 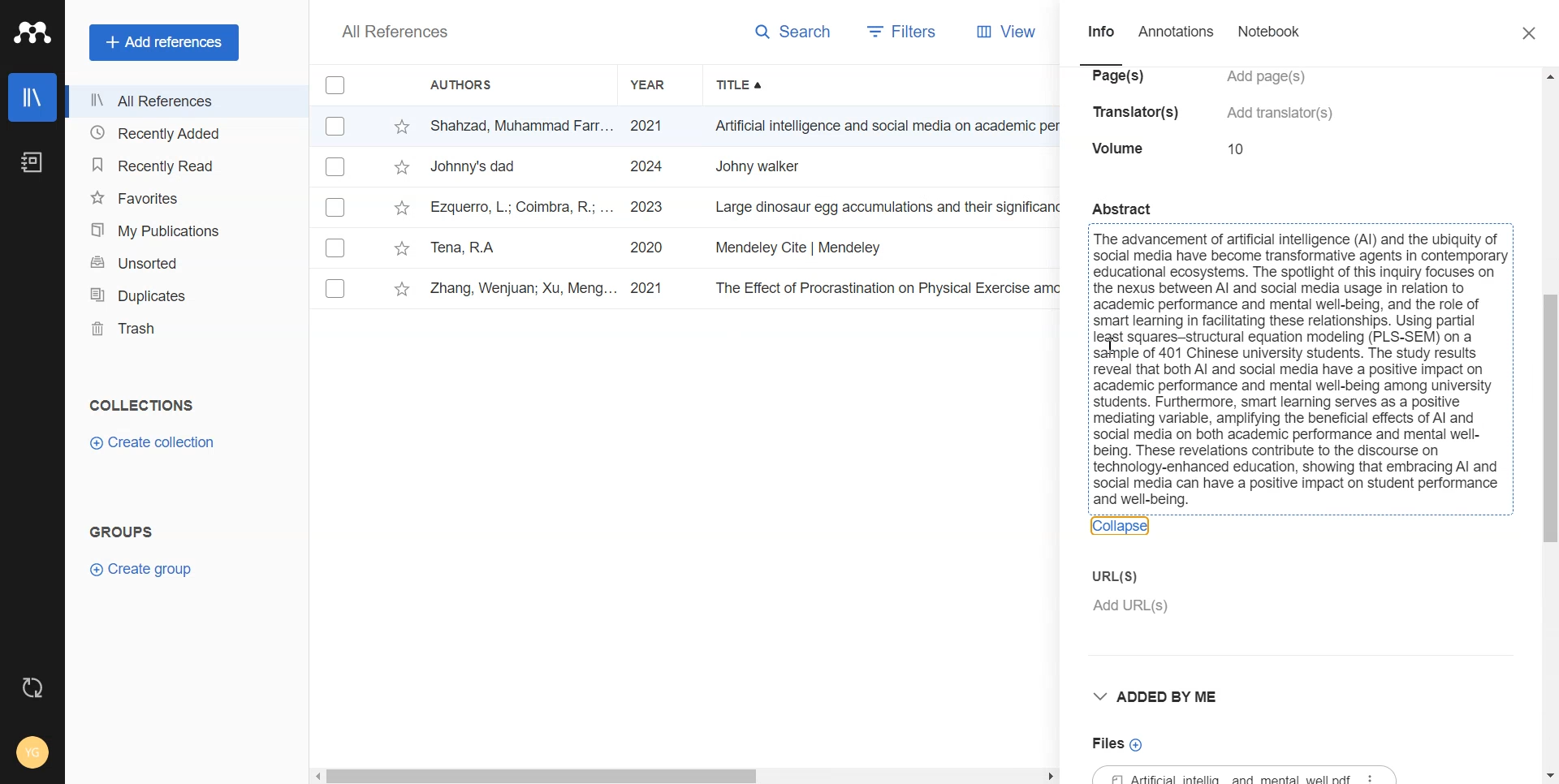 What do you see at coordinates (33, 162) in the screenshot?
I see `Notebook` at bounding box center [33, 162].